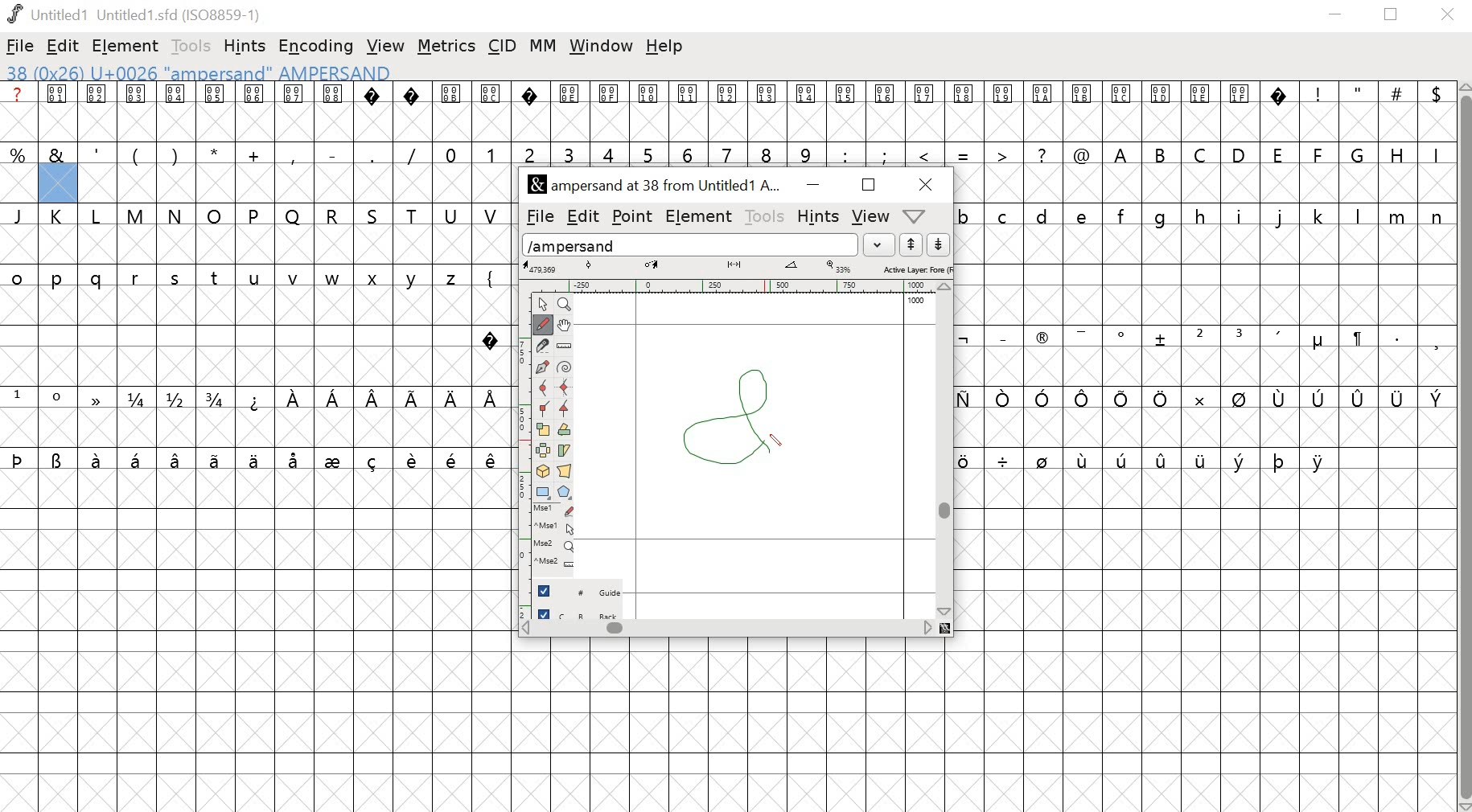 The image size is (1472, 812). What do you see at coordinates (841, 267) in the screenshot?
I see `zoom level` at bounding box center [841, 267].